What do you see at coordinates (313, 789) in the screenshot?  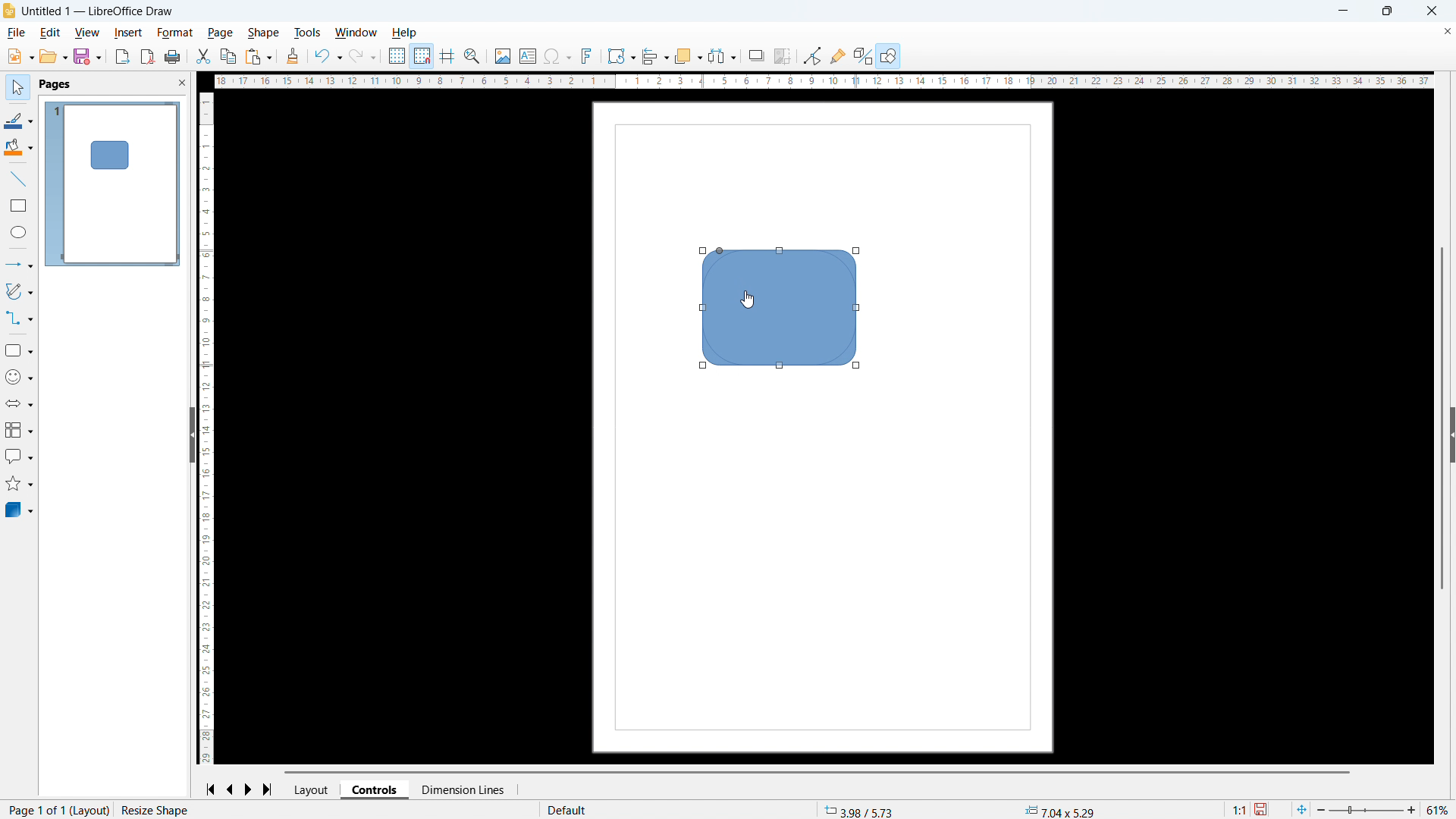 I see `Layout ` at bounding box center [313, 789].